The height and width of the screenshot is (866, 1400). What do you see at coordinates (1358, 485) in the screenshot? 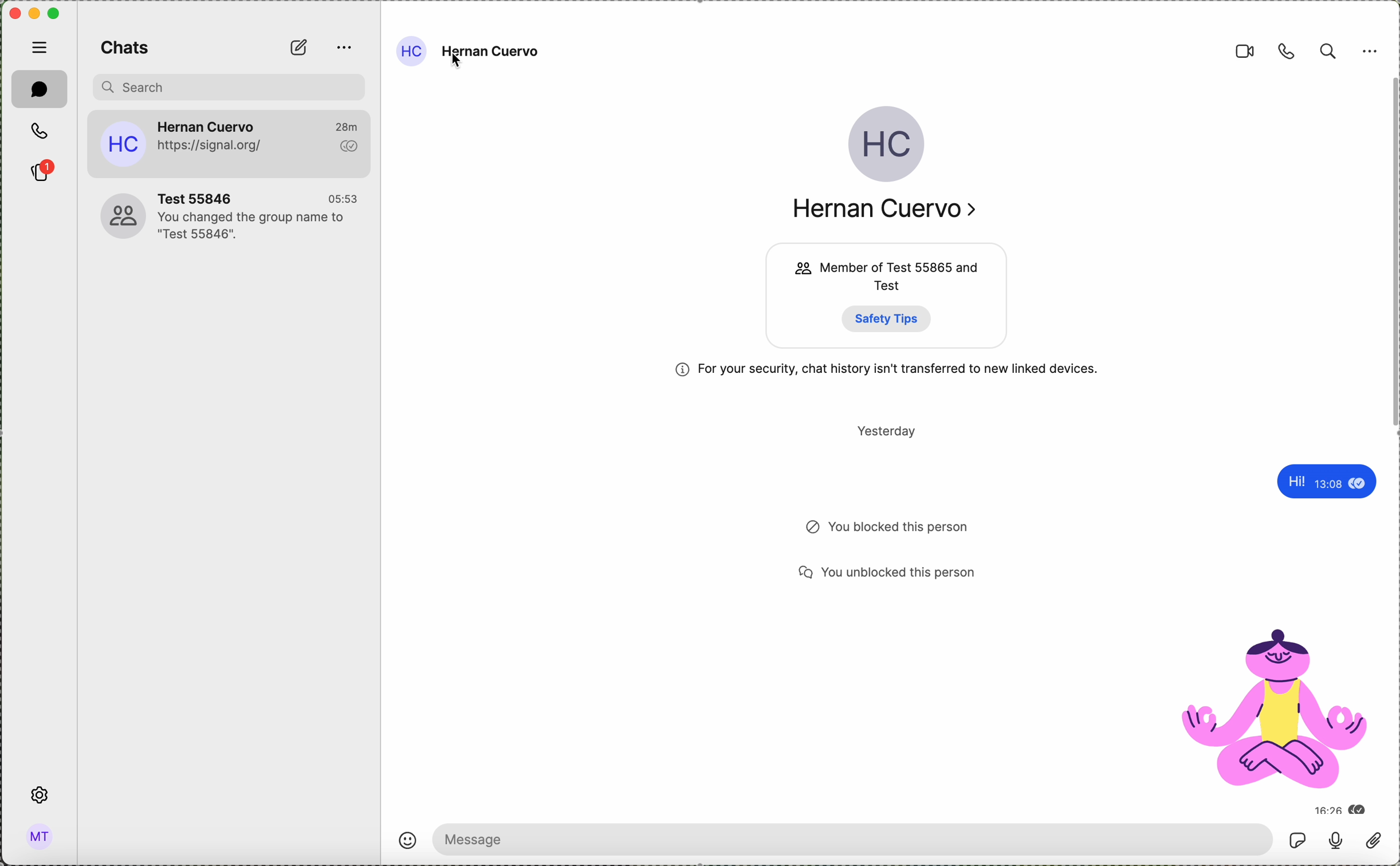
I see `seen` at bounding box center [1358, 485].